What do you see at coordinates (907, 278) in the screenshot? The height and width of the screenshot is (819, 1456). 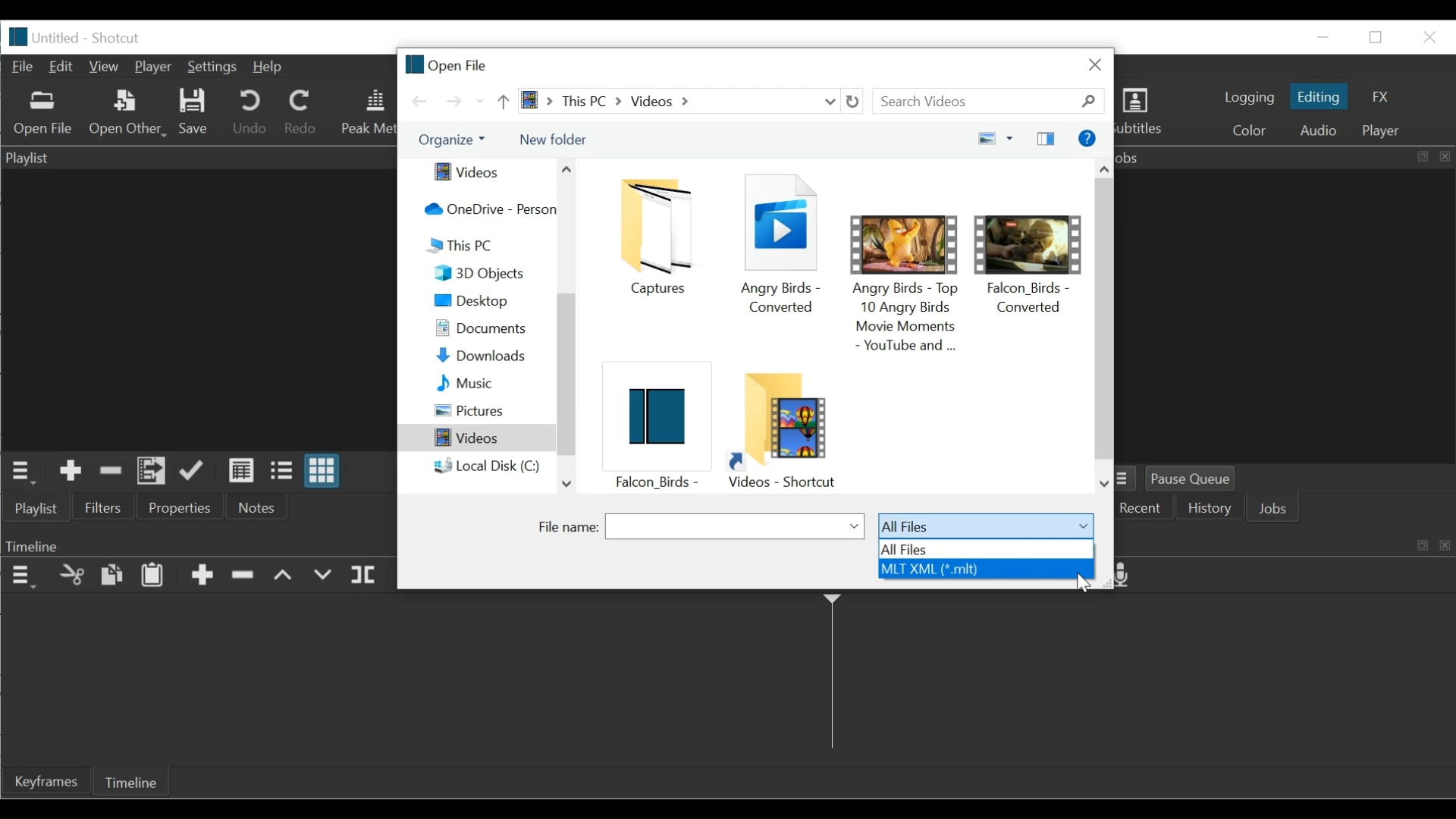 I see `angry birds -top 10 angrybirds movie movements - youtube and _` at bounding box center [907, 278].